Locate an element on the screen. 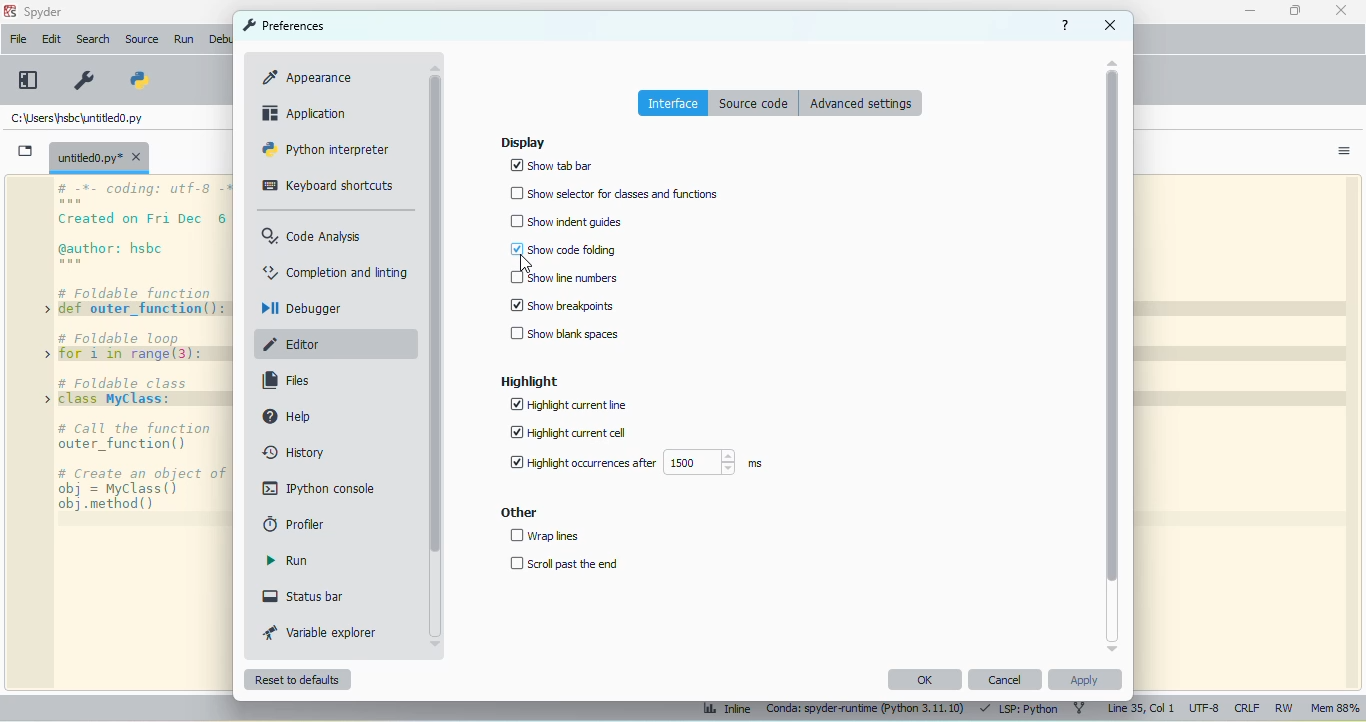  search is located at coordinates (93, 39).